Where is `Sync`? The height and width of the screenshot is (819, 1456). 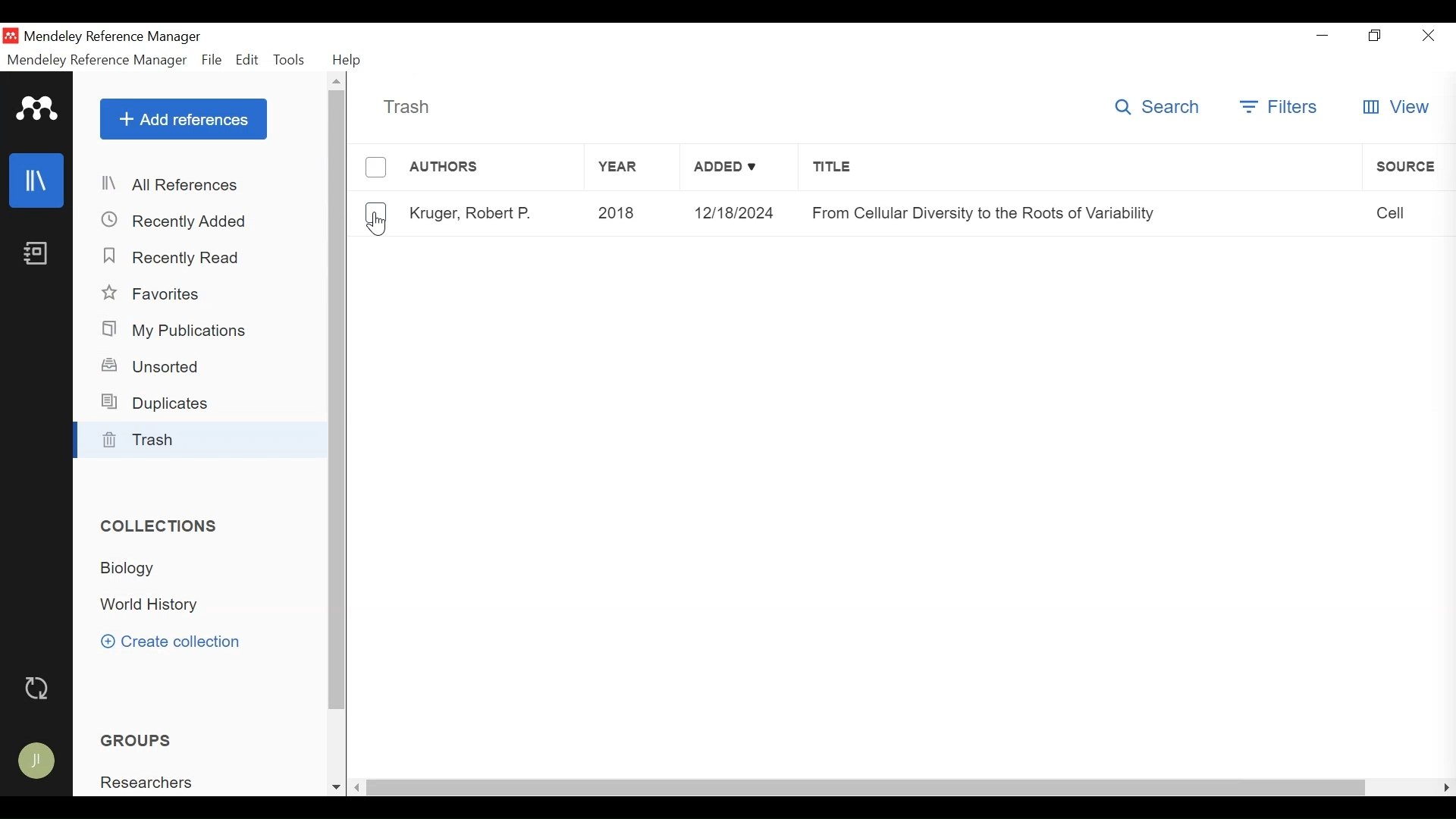 Sync is located at coordinates (39, 688).